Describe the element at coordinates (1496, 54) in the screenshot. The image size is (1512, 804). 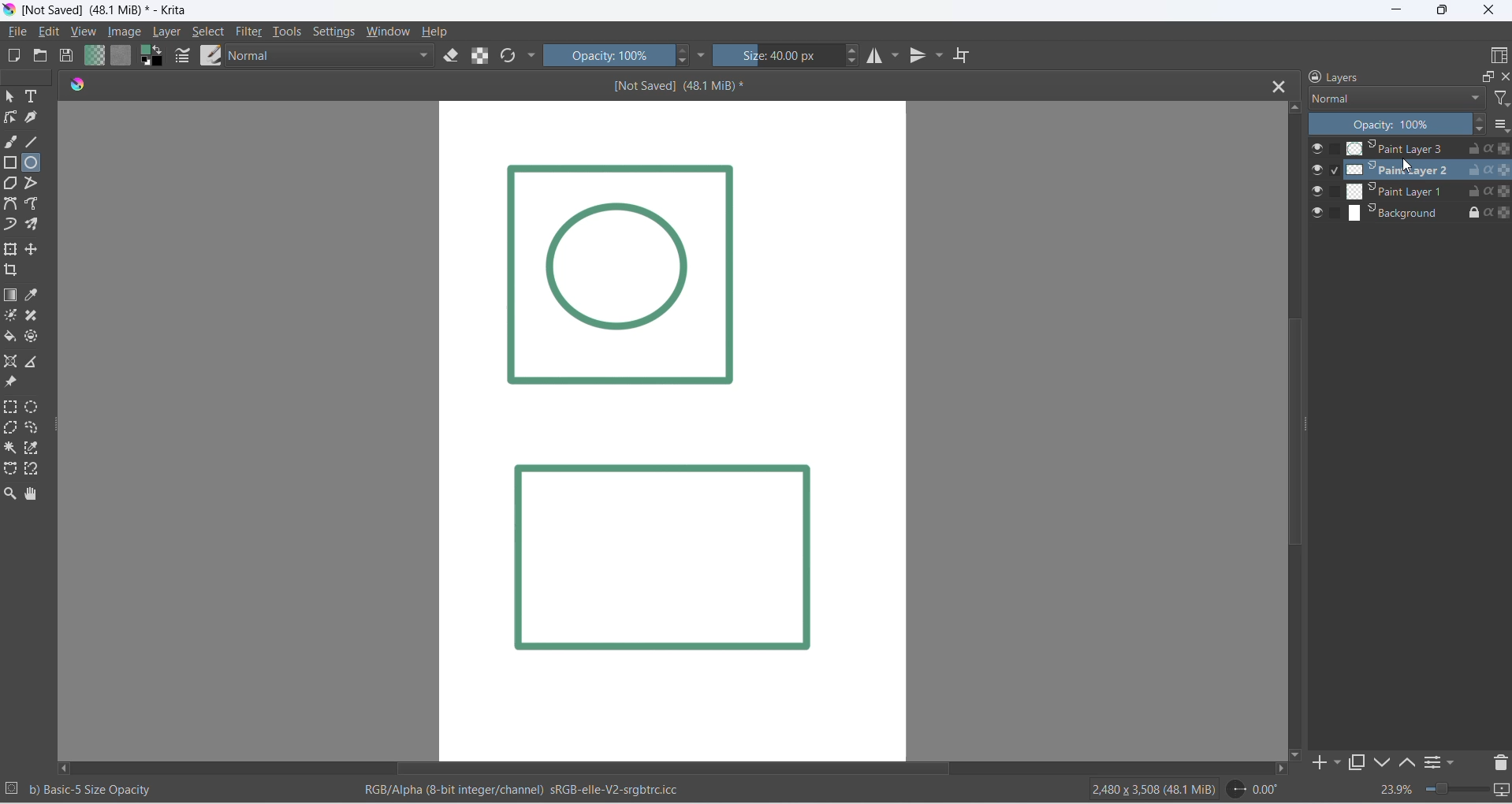
I see `display type` at that location.